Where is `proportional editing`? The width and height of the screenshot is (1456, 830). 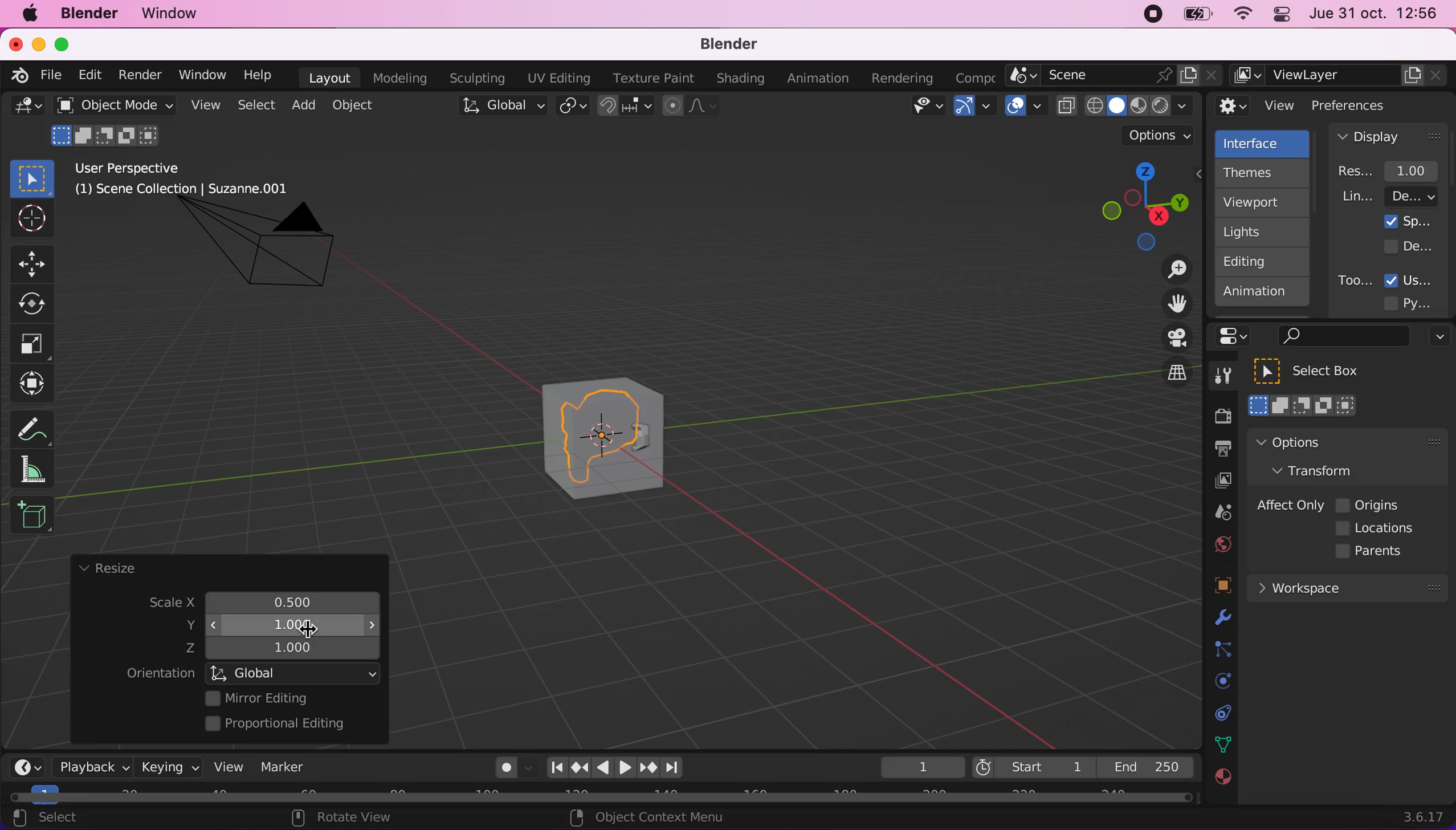 proportional editing is located at coordinates (283, 725).